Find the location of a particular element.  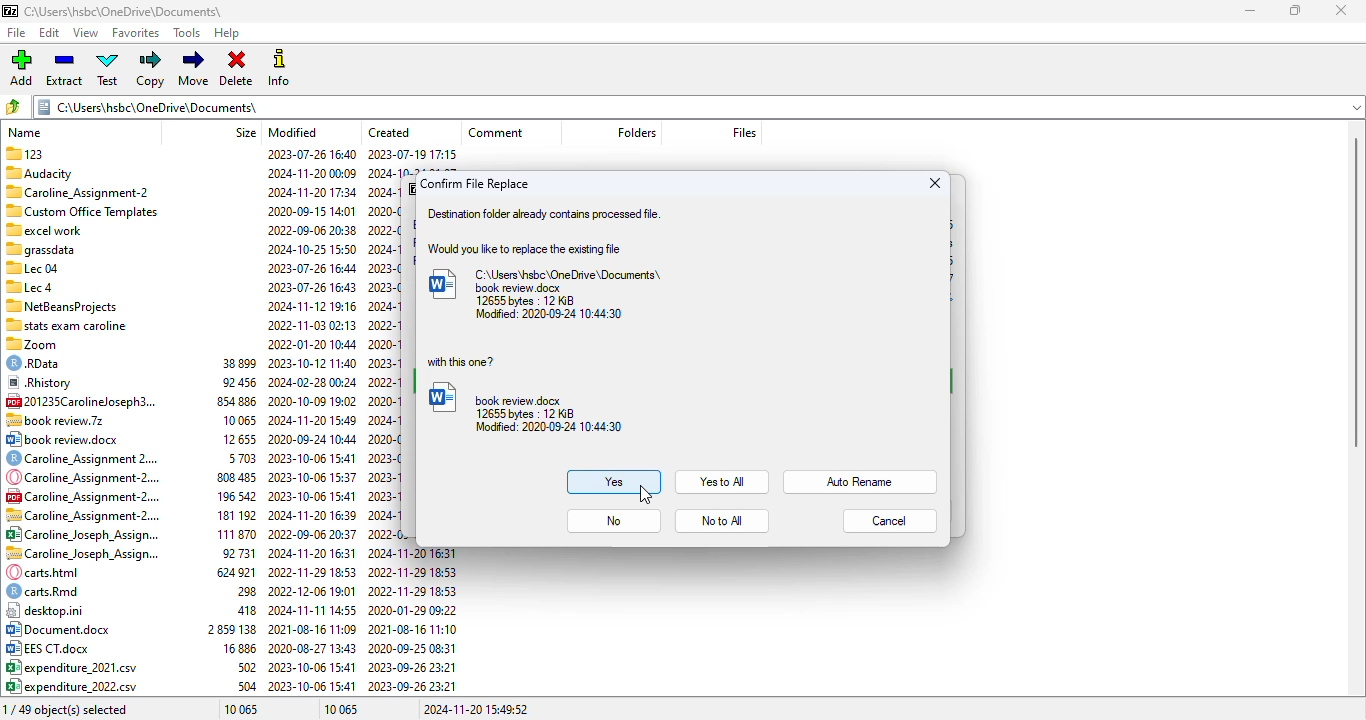

file is located at coordinates (16, 32).